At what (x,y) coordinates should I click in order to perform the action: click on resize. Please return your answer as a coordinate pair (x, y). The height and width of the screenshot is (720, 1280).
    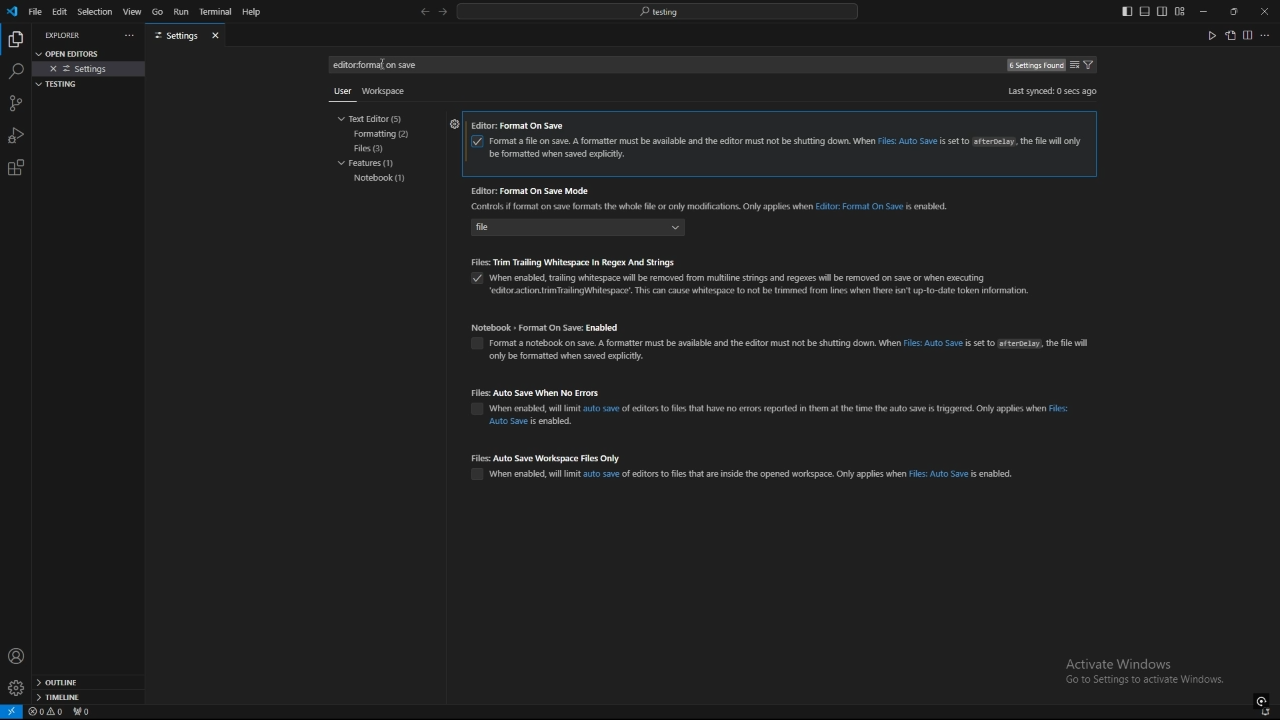
    Looking at the image, I should click on (1233, 11).